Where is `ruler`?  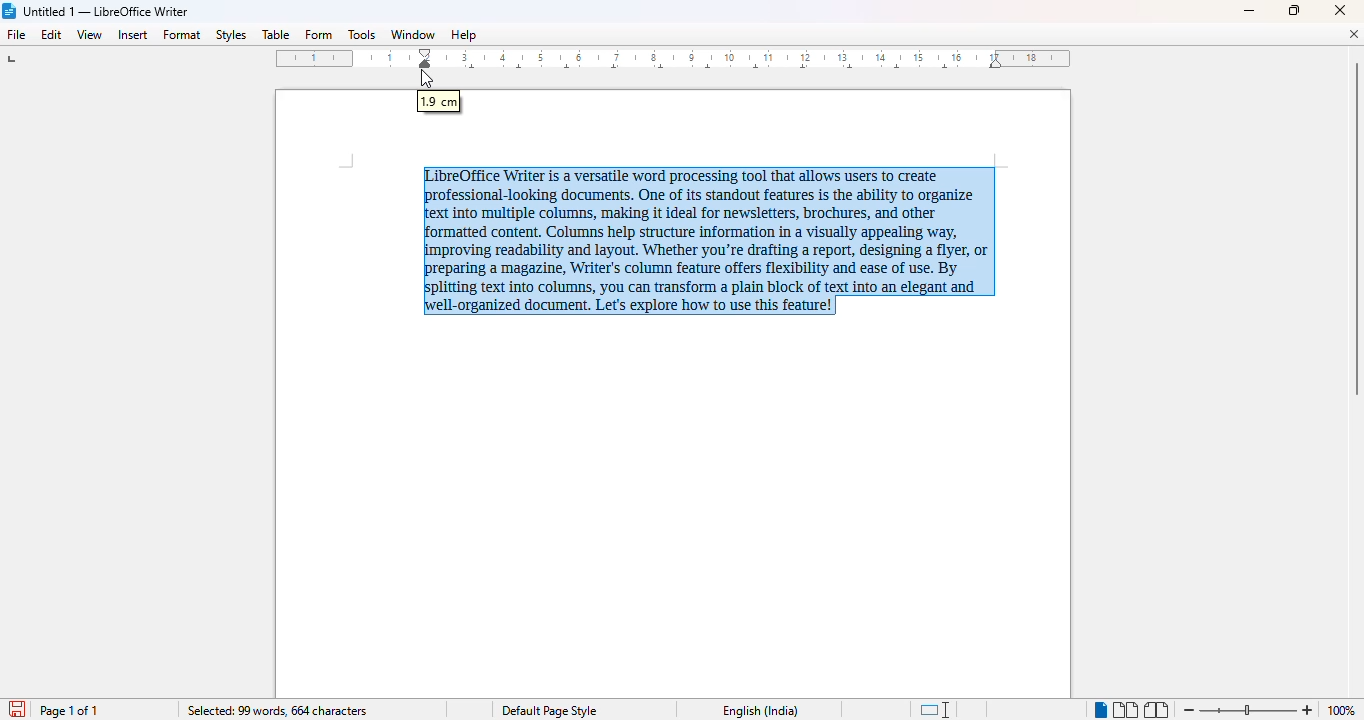
ruler is located at coordinates (675, 59).